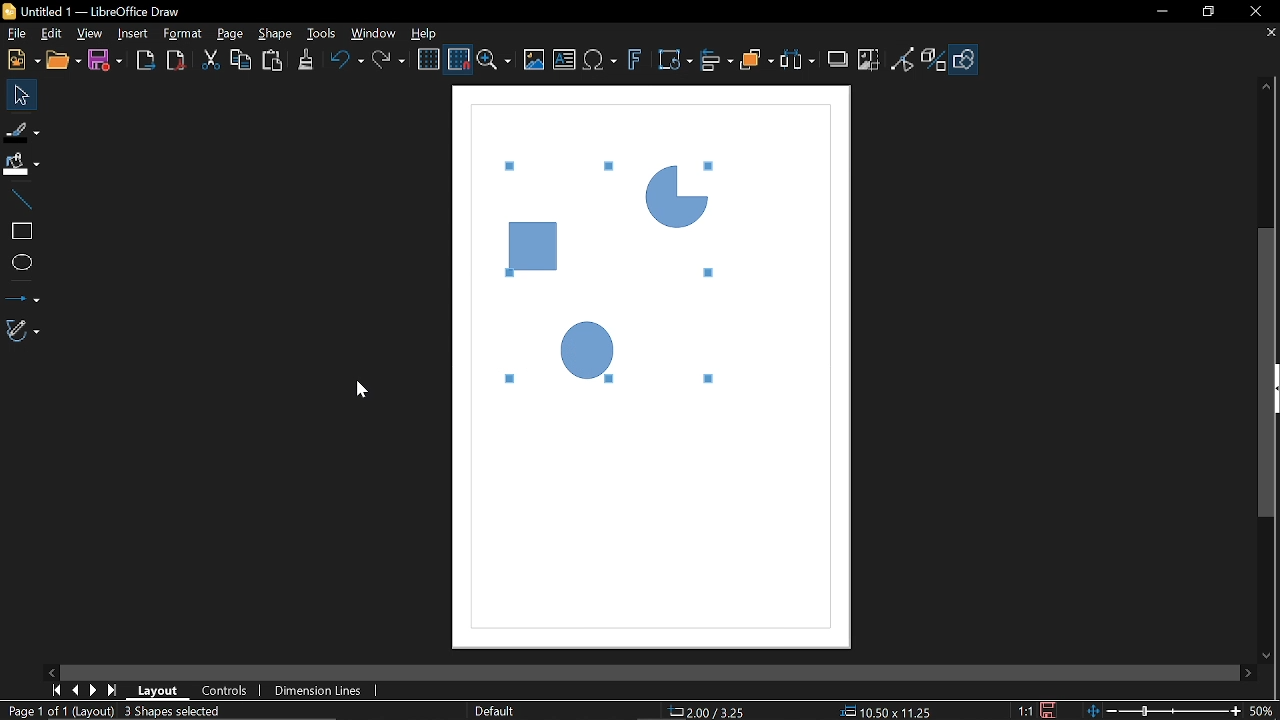  What do you see at coordinates (637, 60) in the screenshot?
I see `Insert fontwork text` at bounding box center [637, 60].